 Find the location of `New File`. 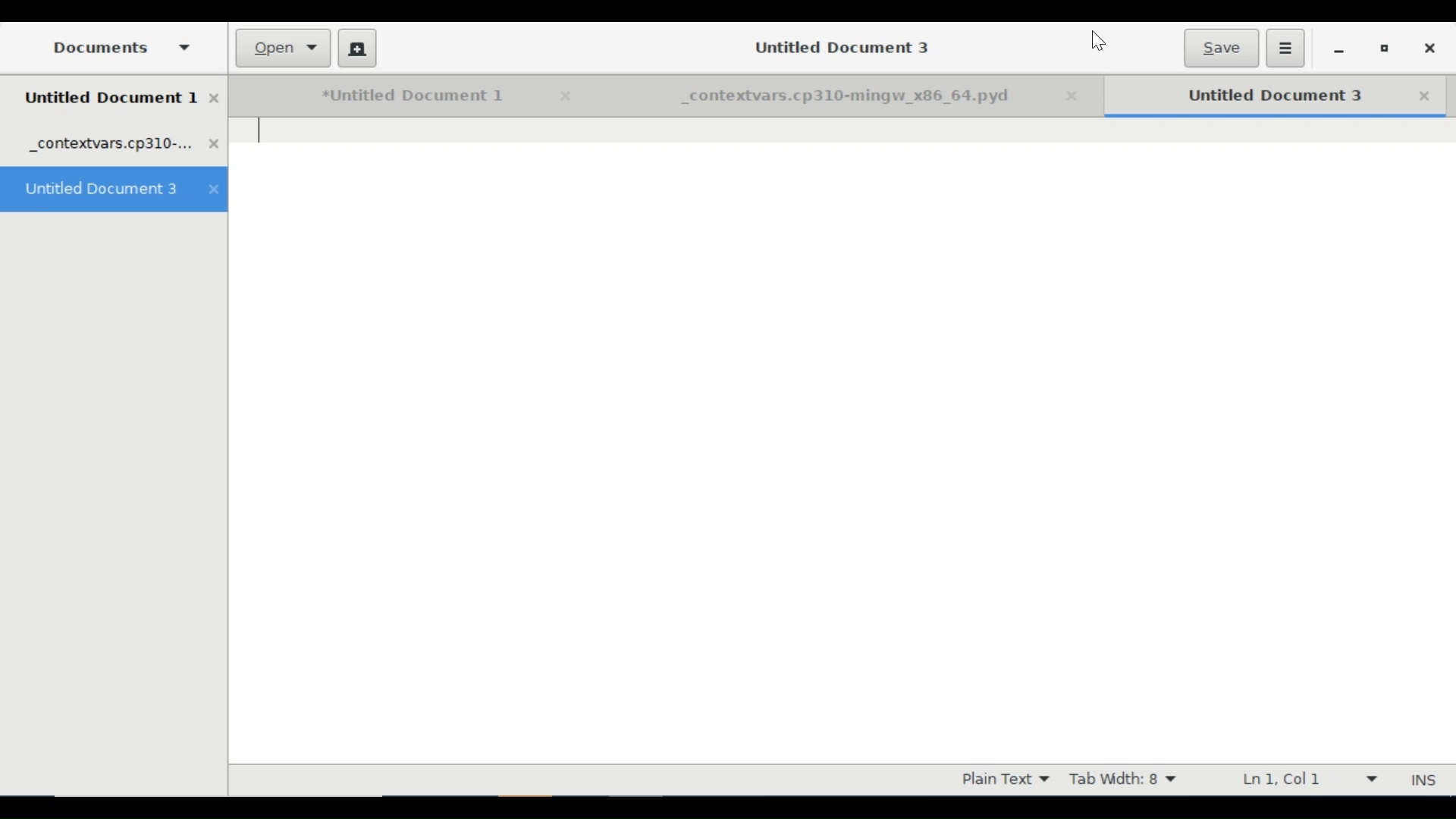

New File is located at coordinates (356, 48).